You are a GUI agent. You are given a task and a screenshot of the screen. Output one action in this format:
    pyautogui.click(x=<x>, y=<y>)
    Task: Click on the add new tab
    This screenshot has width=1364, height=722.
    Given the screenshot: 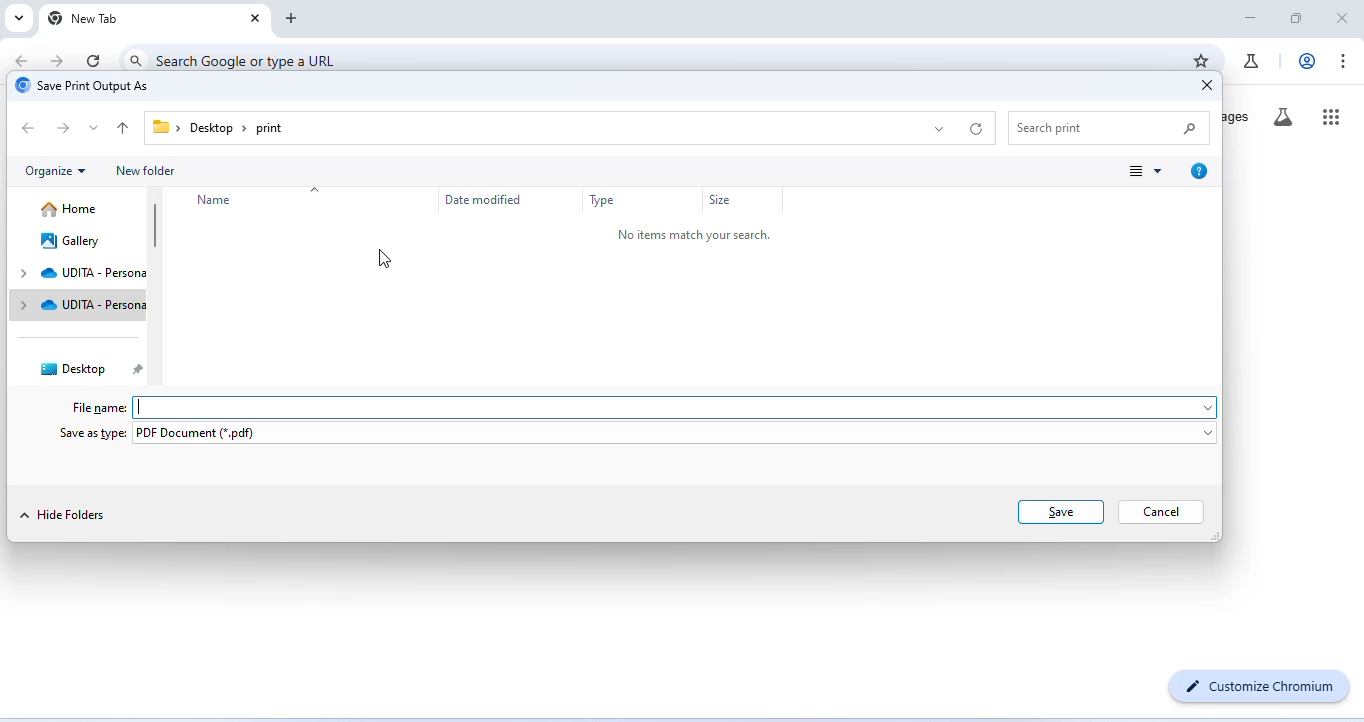 What is the action you would take?
    pyautogui.click(x=292, y=20)
    